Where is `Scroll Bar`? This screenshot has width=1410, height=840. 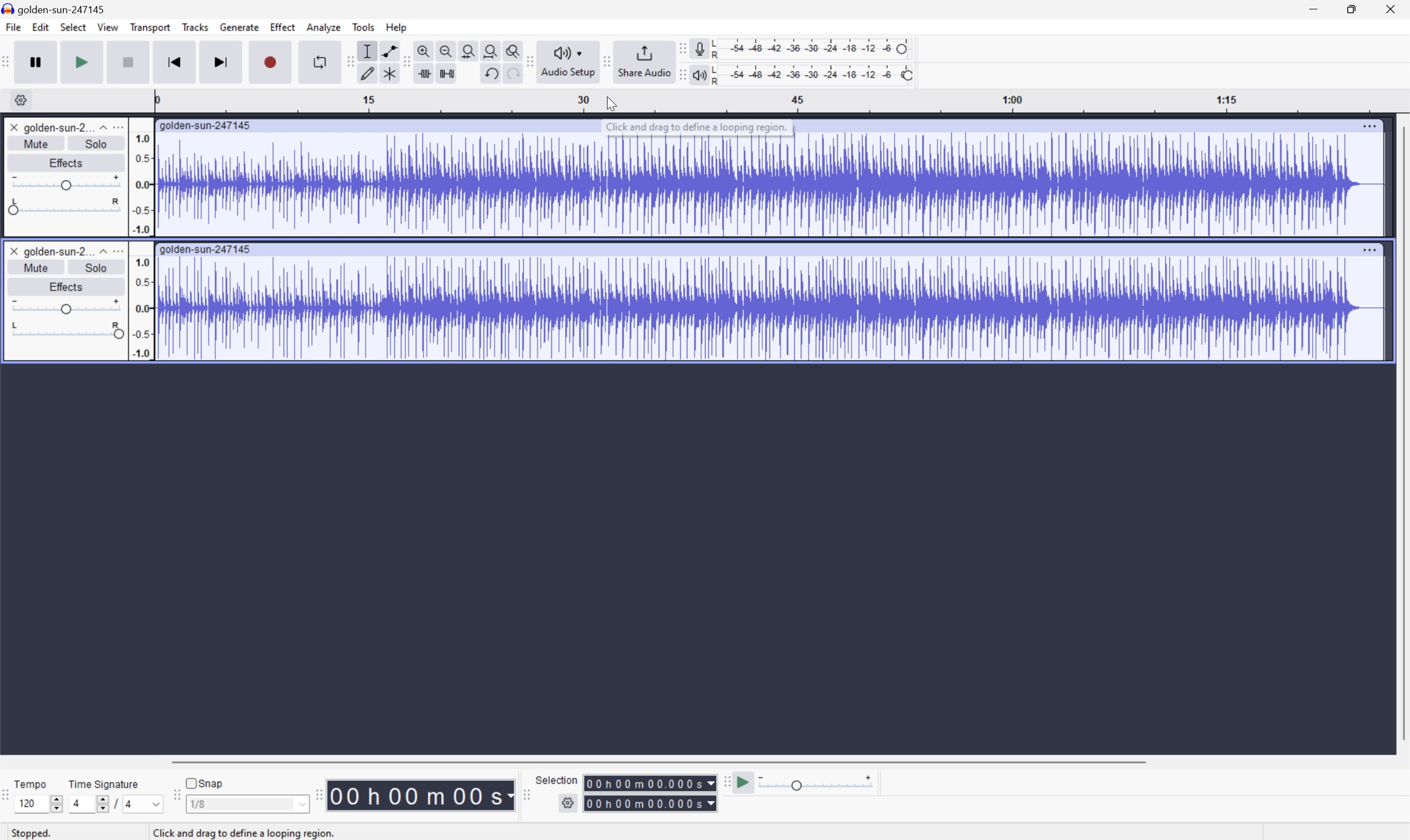
Scroll Bar is located at coordinates (1401, 432).